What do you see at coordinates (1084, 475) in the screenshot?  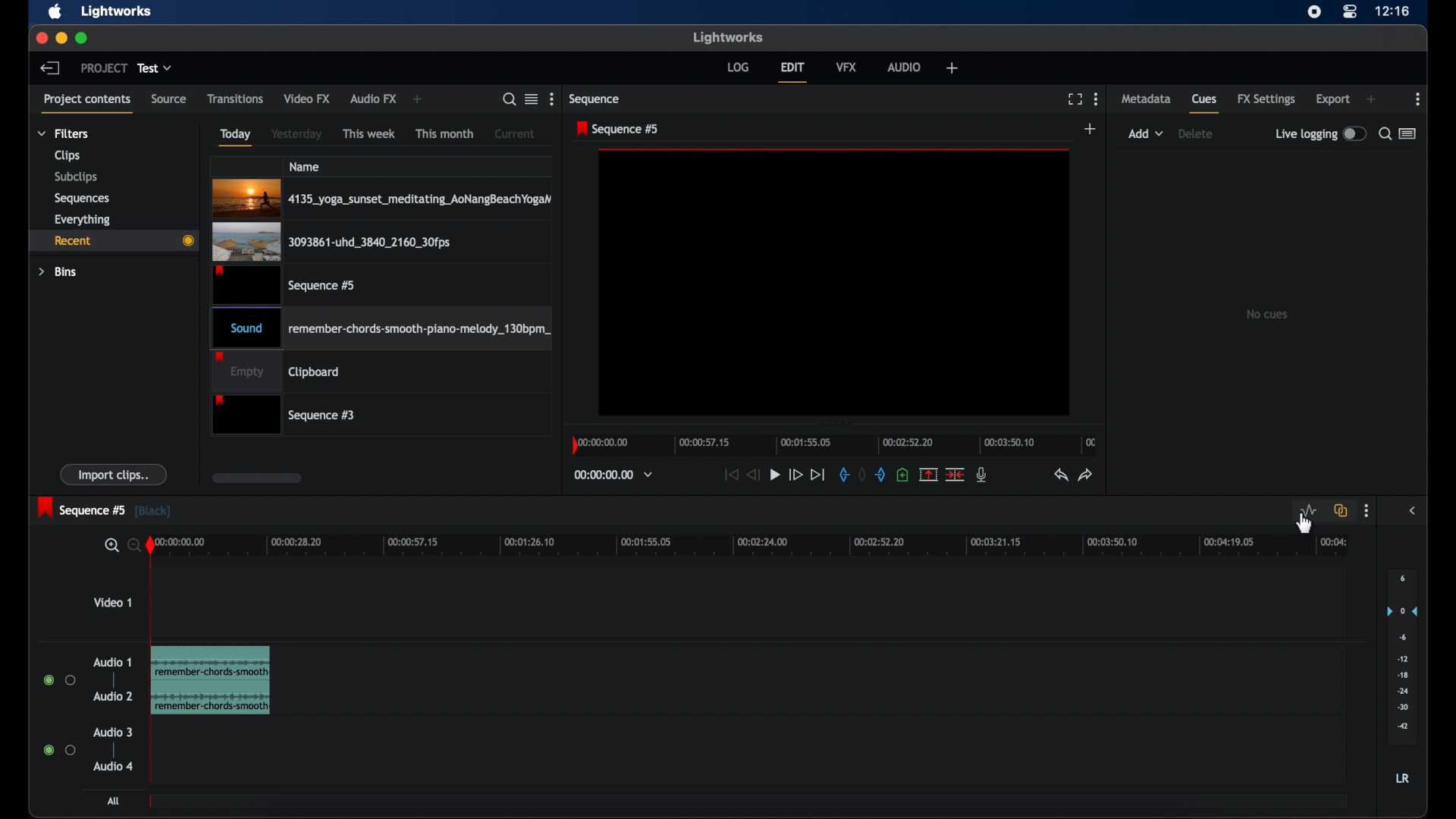 I see `redo` at bounding box center [1084, 475].